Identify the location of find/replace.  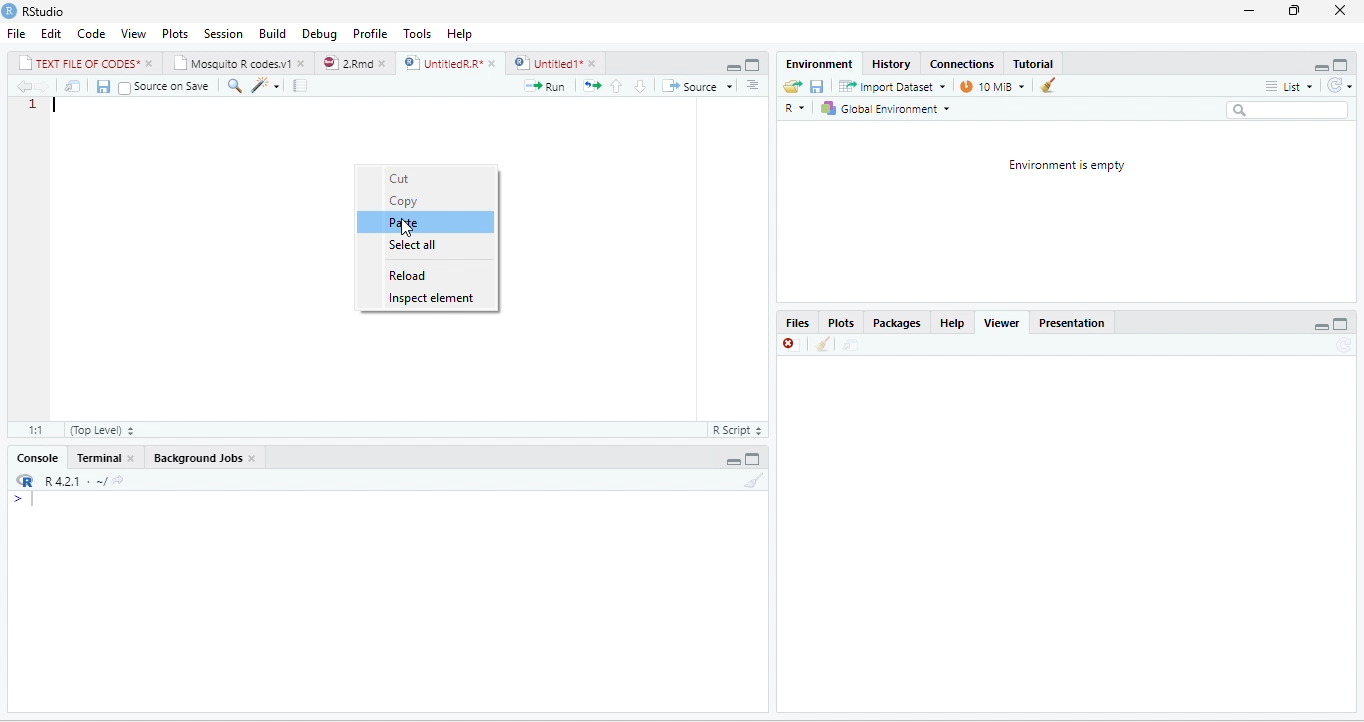
(233, 85).